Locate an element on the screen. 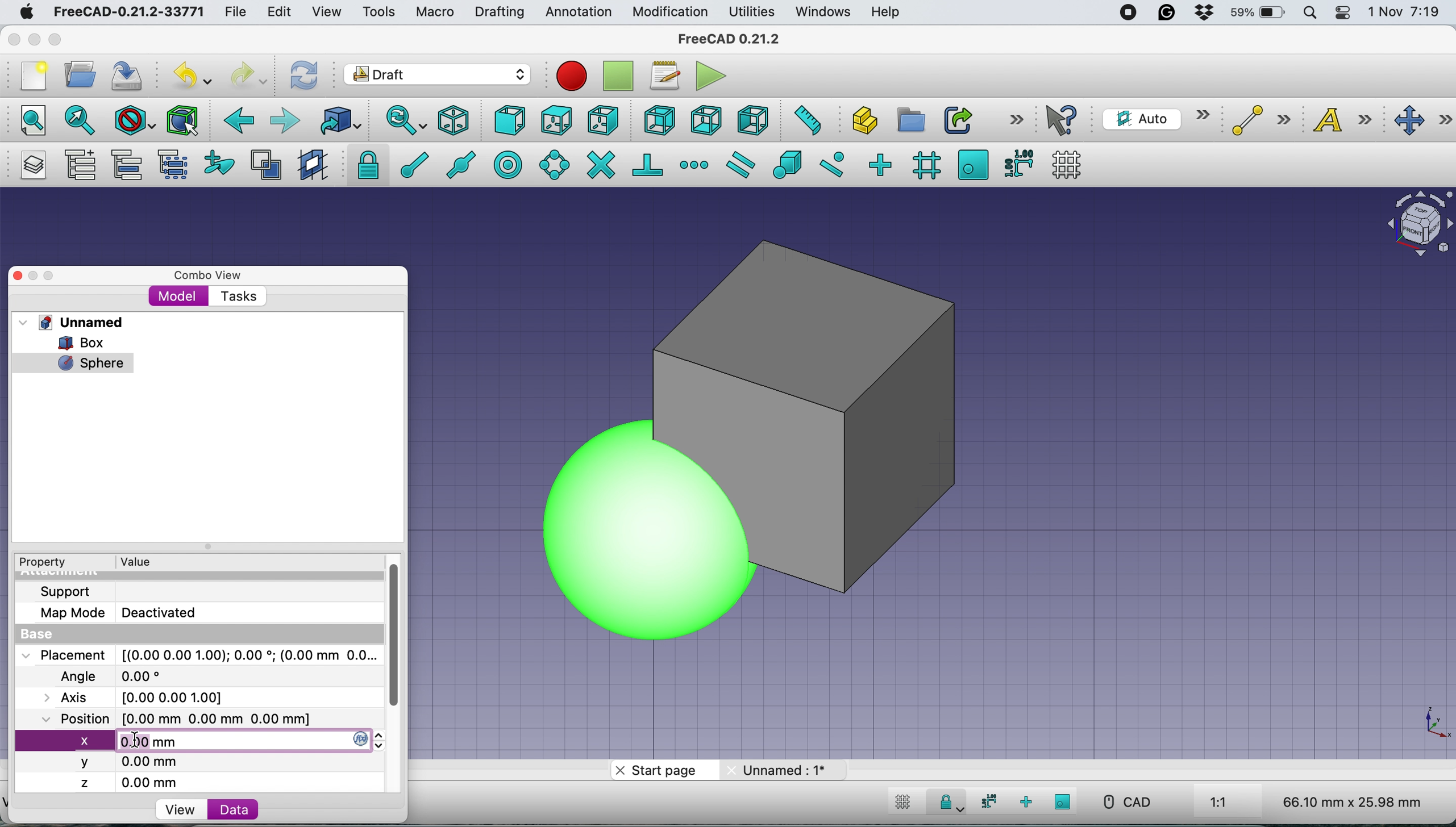  snap ortho is located at coordinates (1027, 802).